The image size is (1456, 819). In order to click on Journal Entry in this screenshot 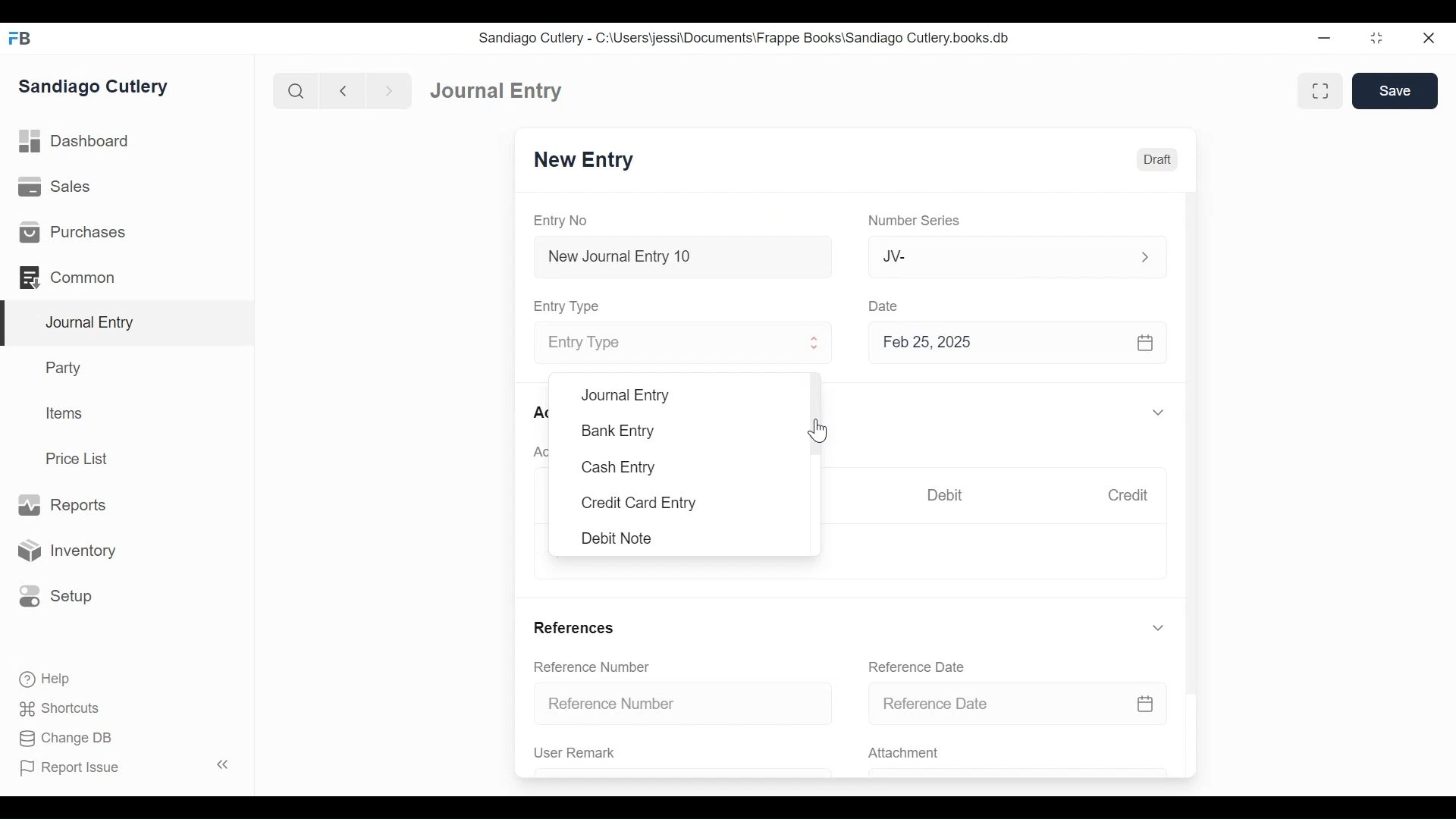, I will do `click(494, 92)`.